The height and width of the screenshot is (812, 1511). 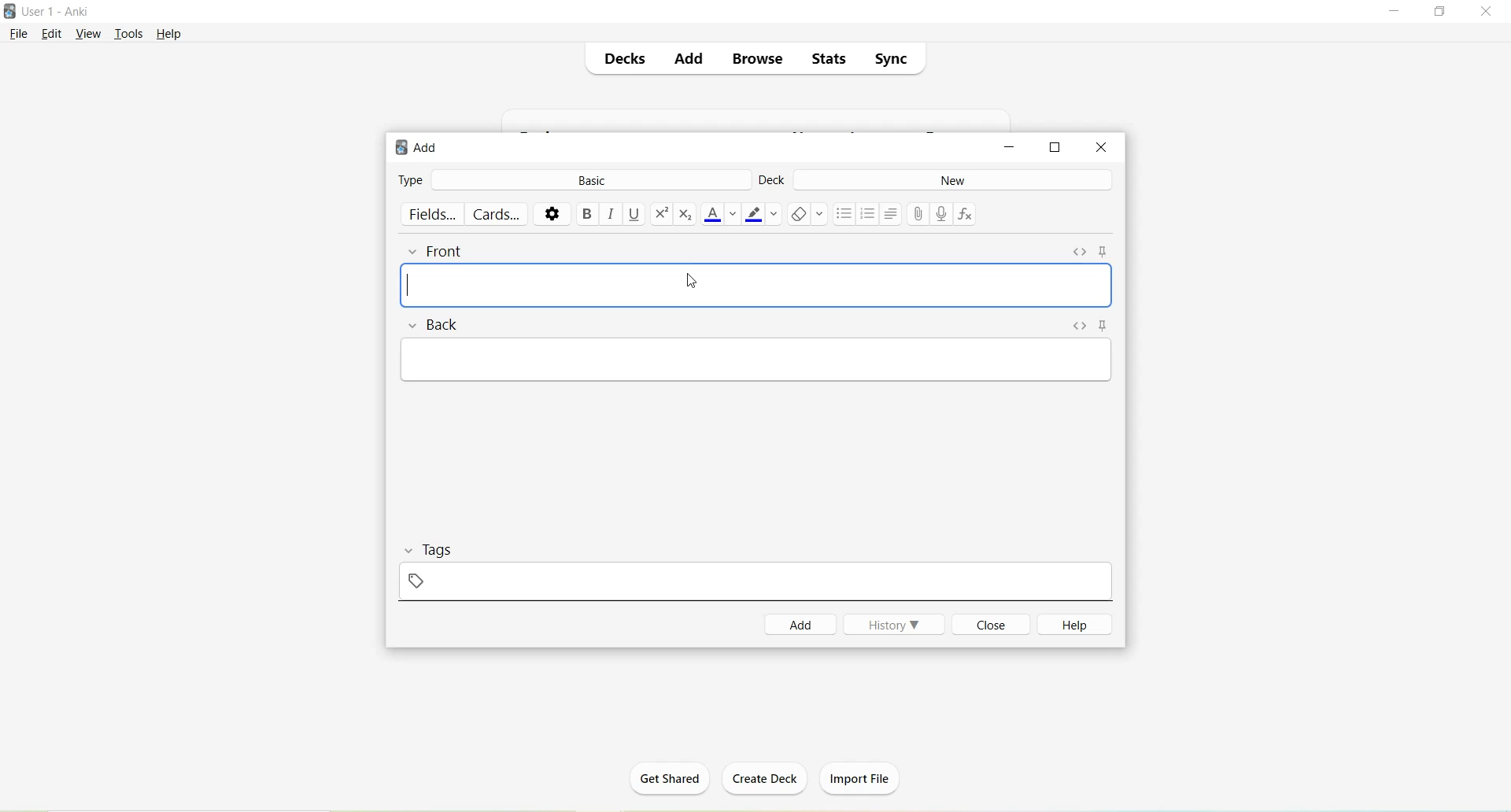 What do you see at coordinates (433, 214) in the screenshot?
I see `Fields..` at bounding box center [433, 214].